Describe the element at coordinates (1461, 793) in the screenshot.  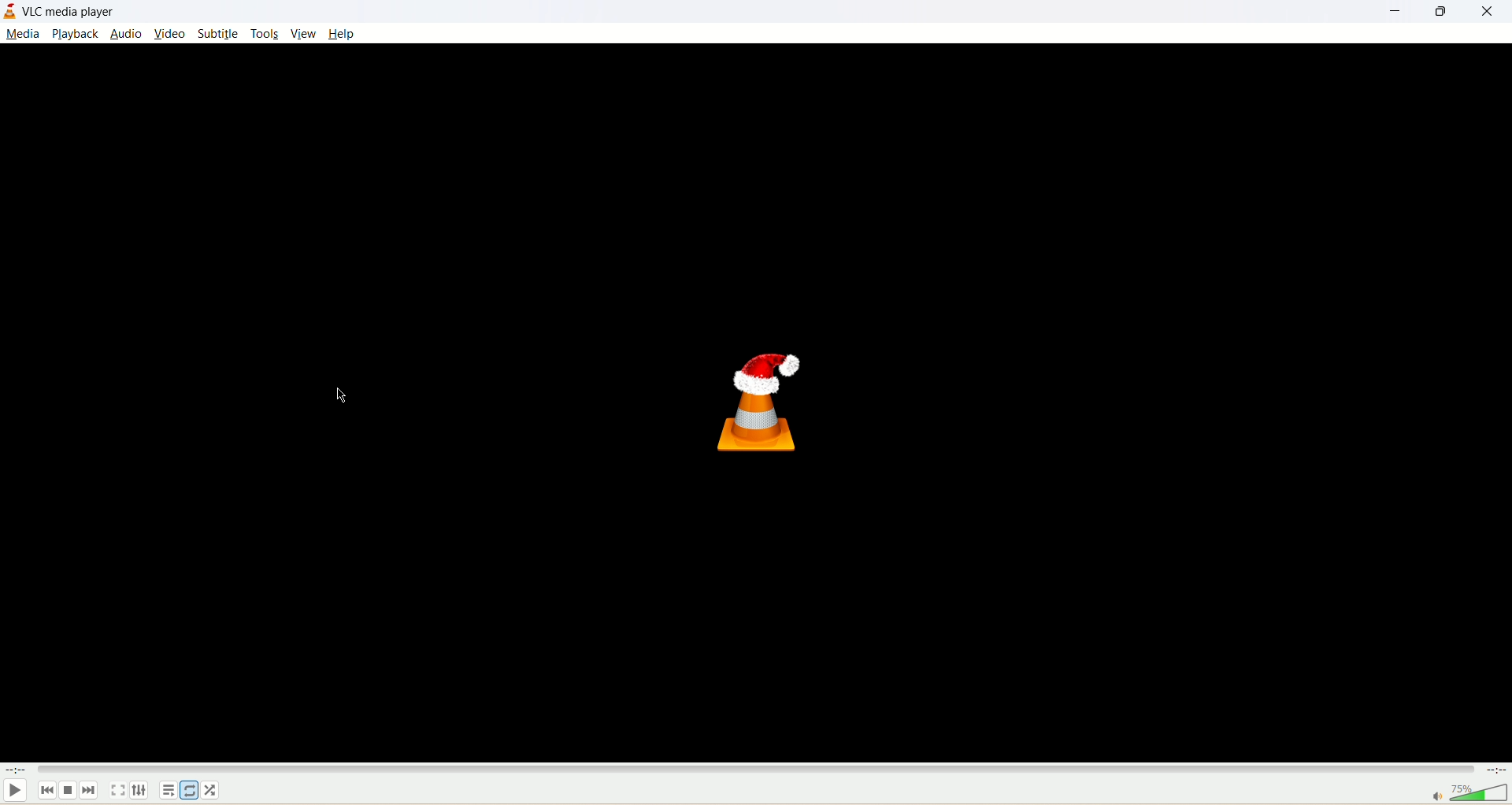
I see `volume bar` at that location.